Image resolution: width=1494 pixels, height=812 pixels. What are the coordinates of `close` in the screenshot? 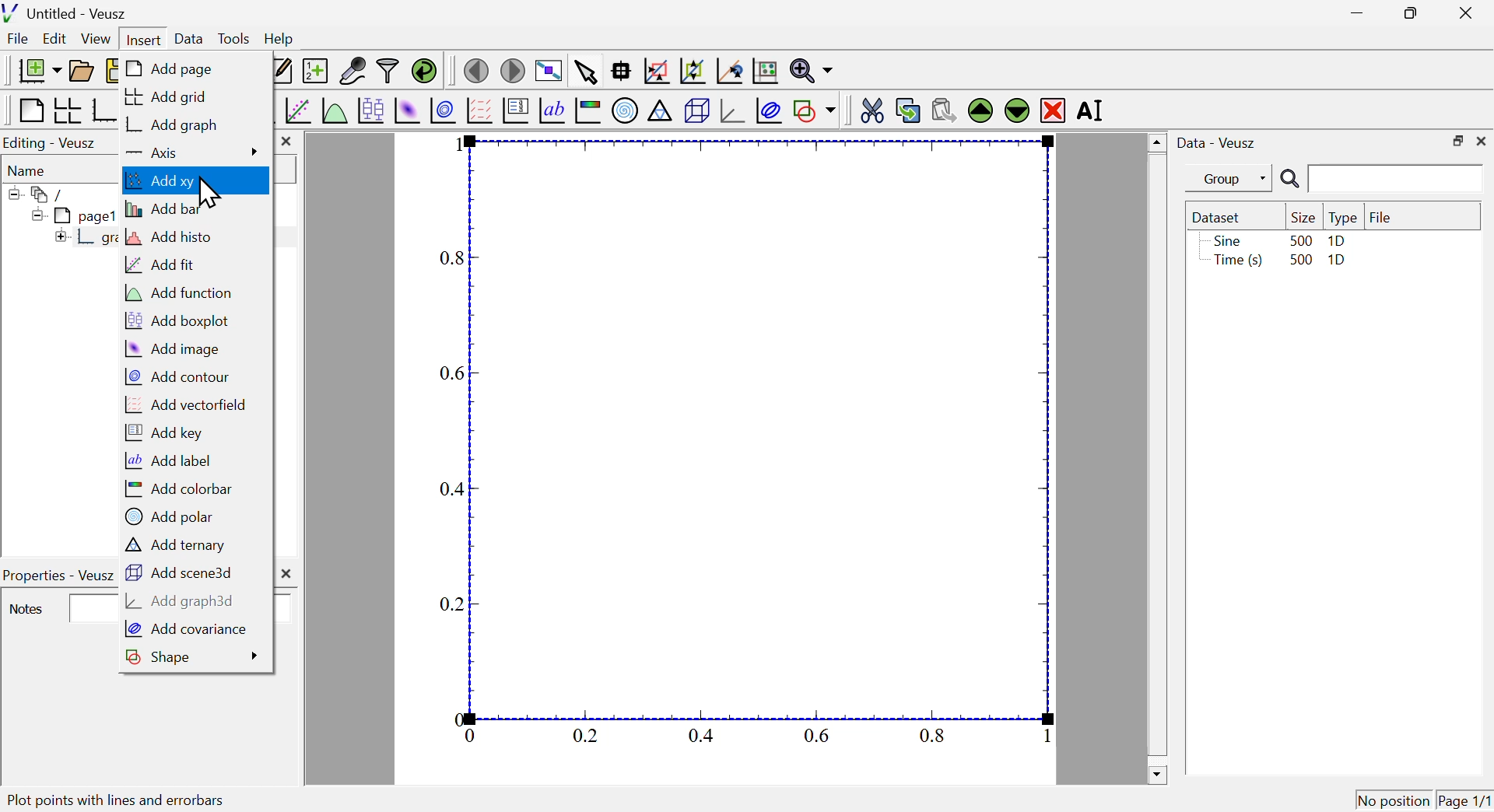 It's located at (1469, 12).